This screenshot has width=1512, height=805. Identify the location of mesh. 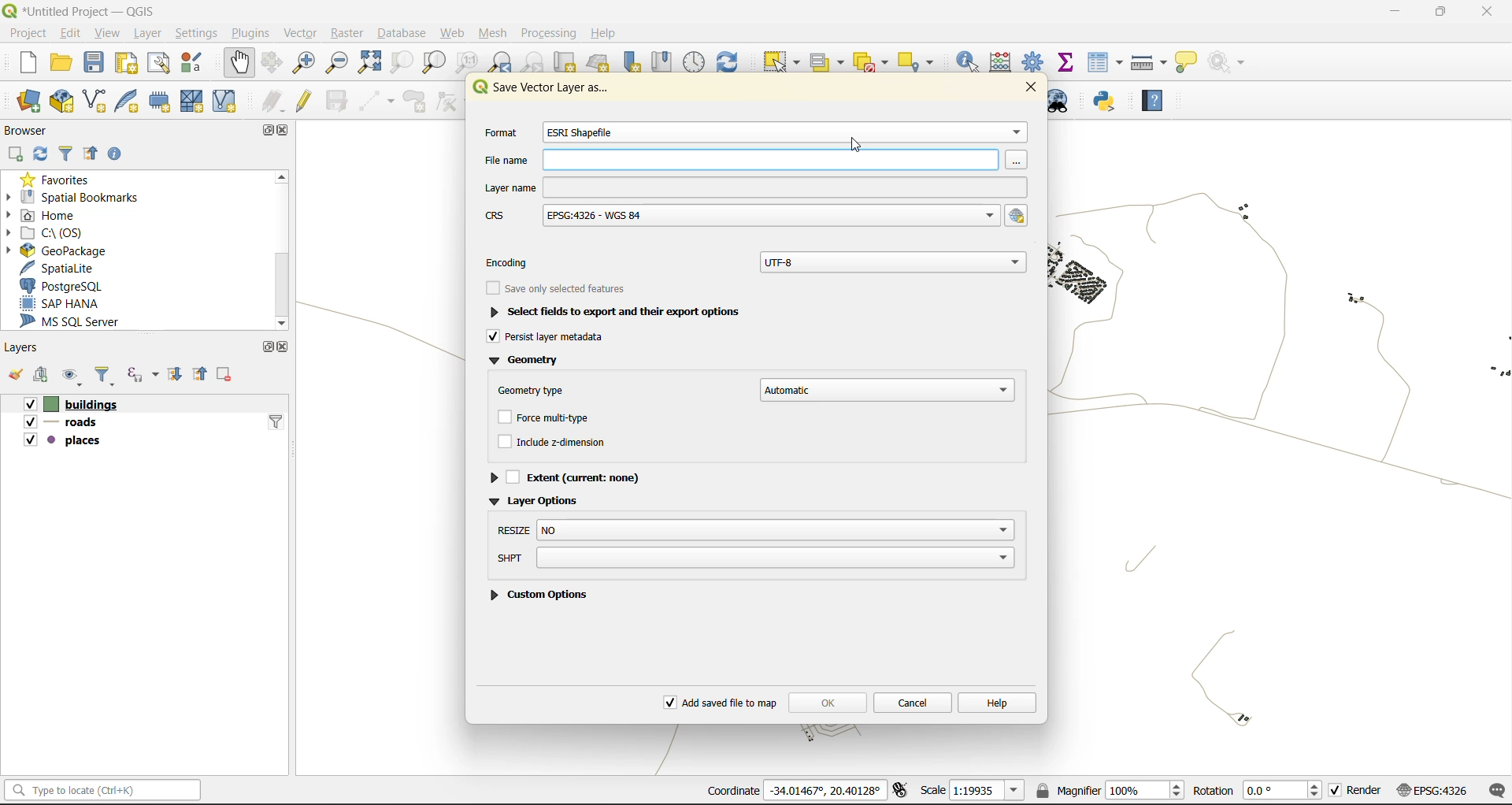
(493, 33).